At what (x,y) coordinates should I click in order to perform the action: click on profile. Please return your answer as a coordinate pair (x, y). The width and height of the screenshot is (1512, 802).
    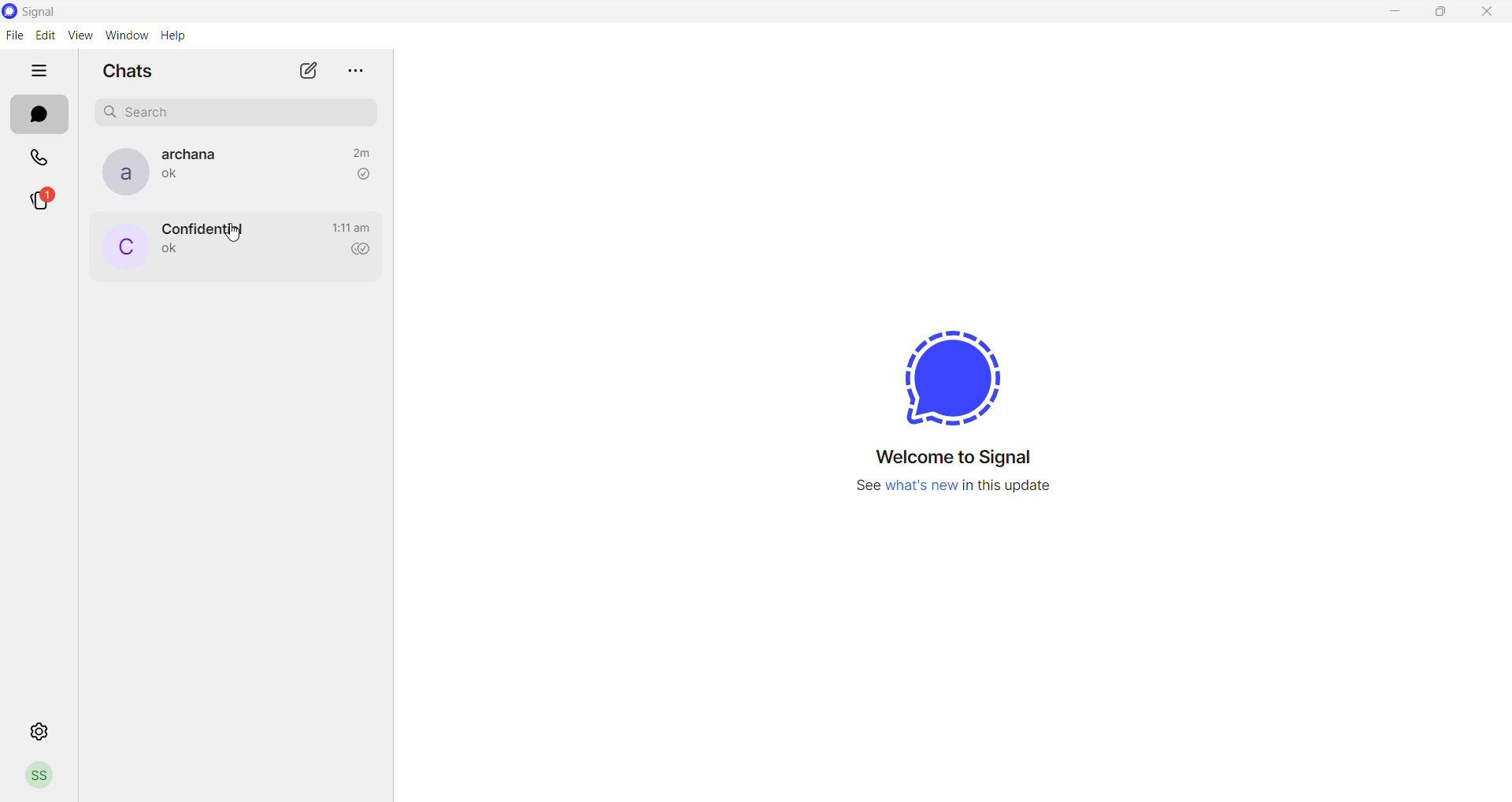
    Looking at the image, I should click on (39, 778).